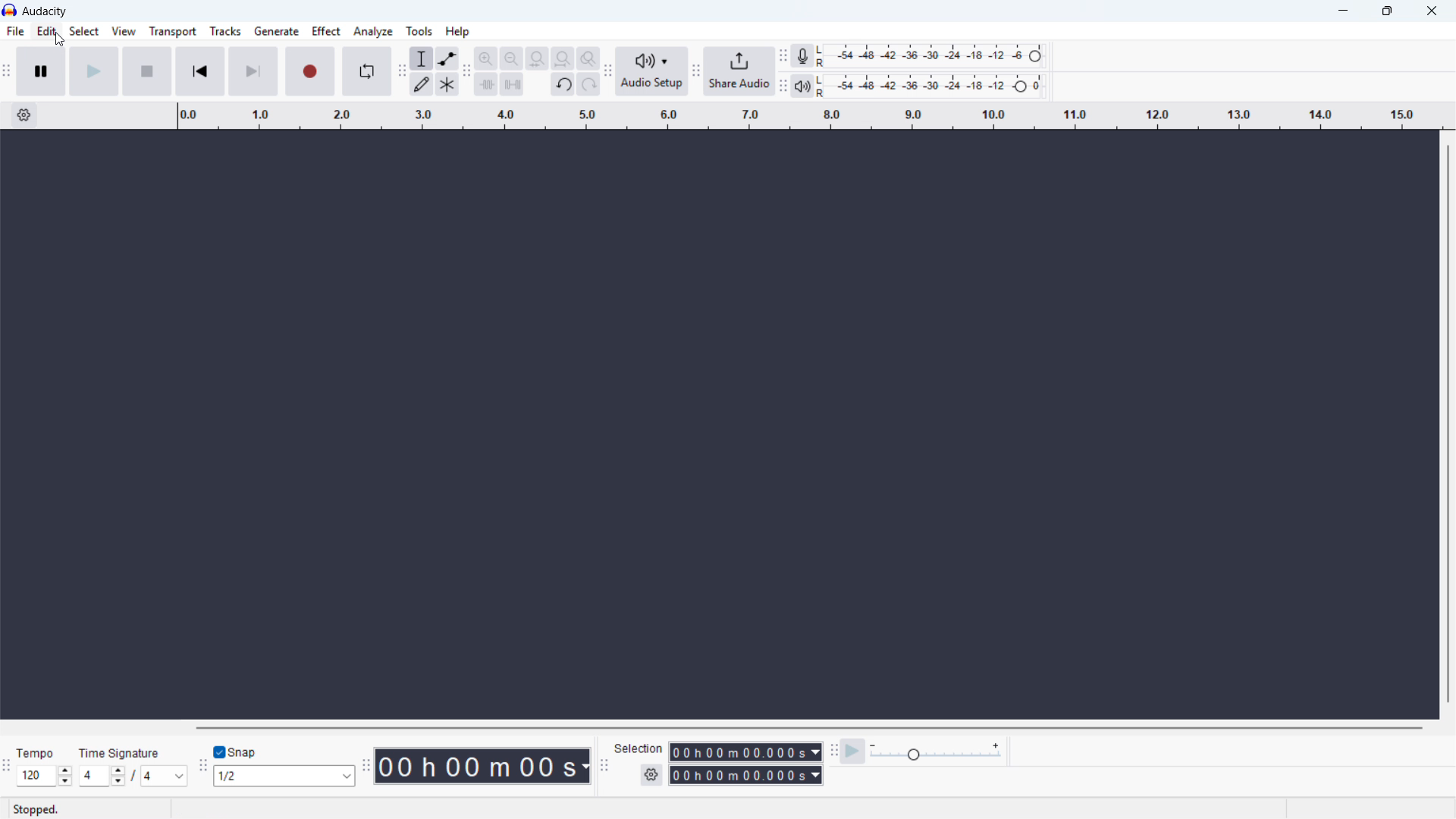 Image resolution: width=1456 pixels, height=819 pixels. What do you see at coordinates (309, 71) in the screenshot?
I see `record` at bounding box center [309, 71].